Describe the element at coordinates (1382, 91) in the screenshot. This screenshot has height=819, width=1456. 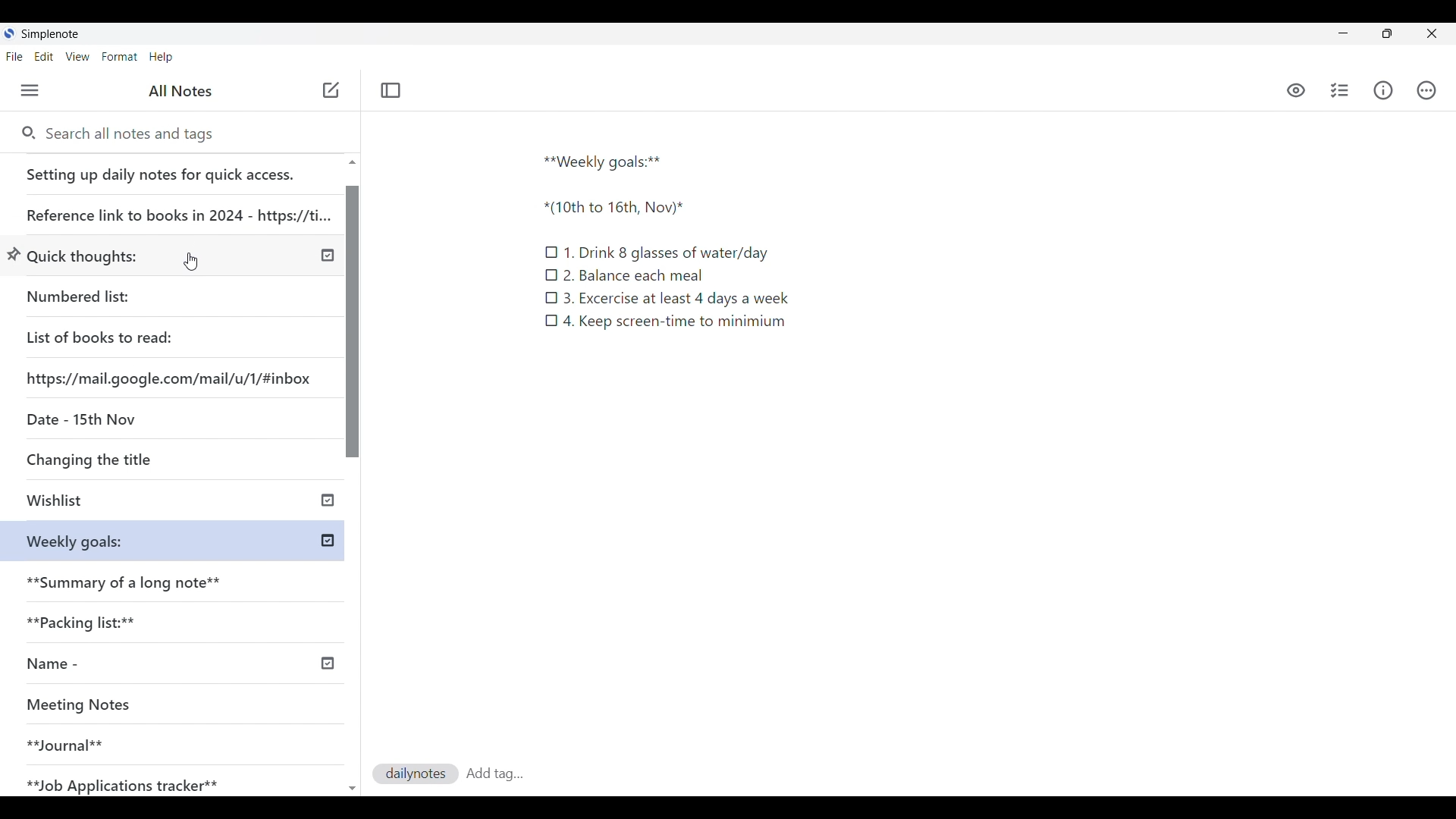
I see `Info` at that location.